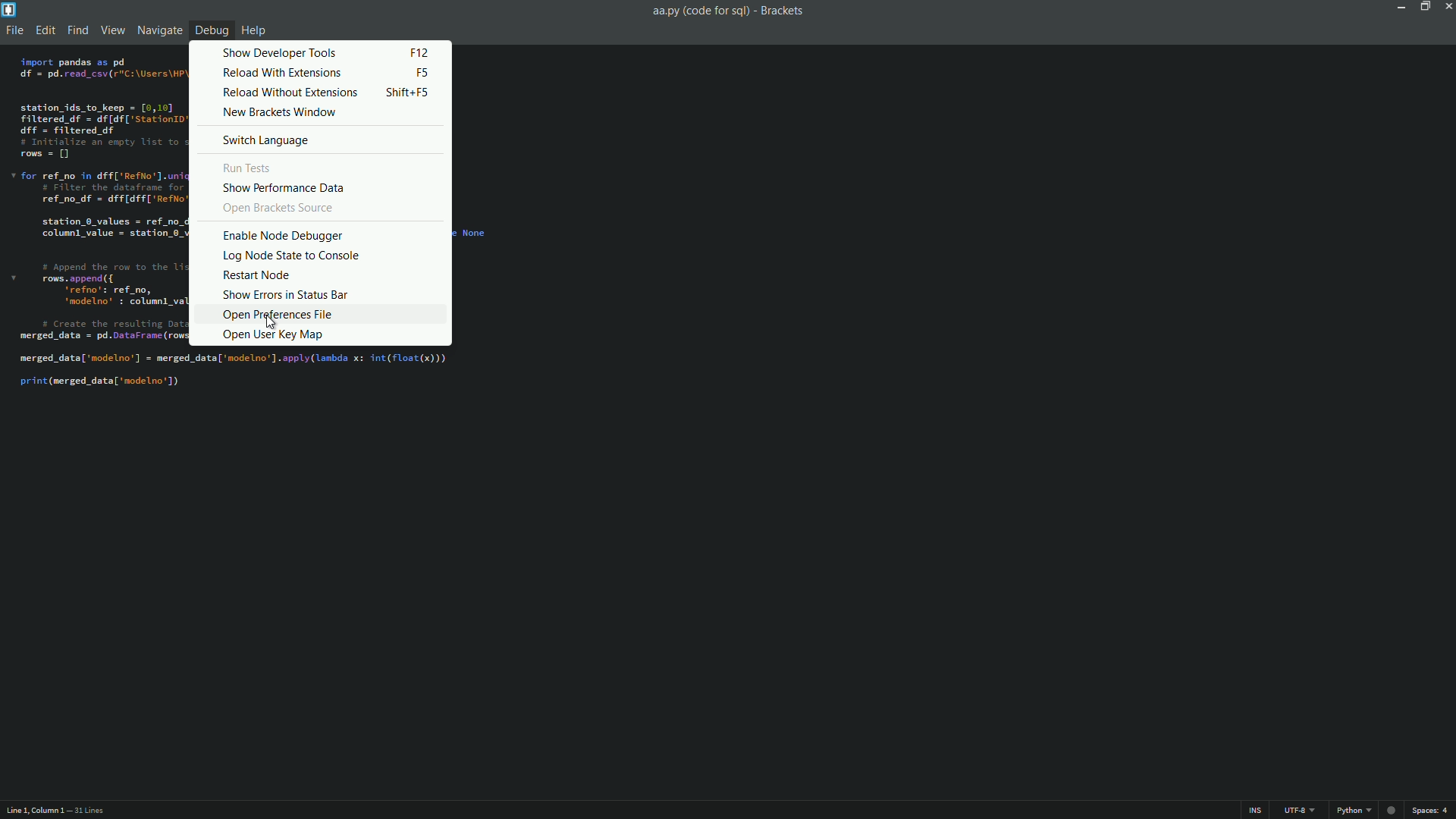 This screenshot has width=1456, height=819. I want to click on record, so click(1393, 810).